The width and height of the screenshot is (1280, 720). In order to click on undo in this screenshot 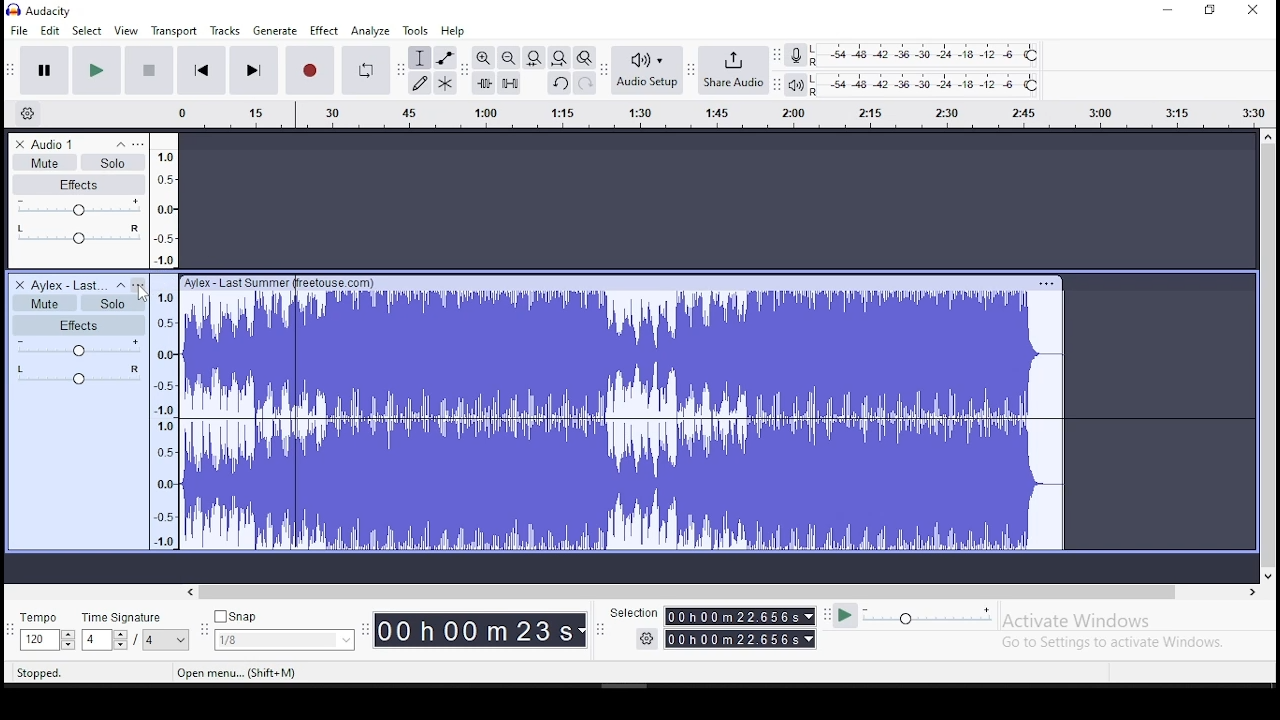, I will do `click(559, 82)`.